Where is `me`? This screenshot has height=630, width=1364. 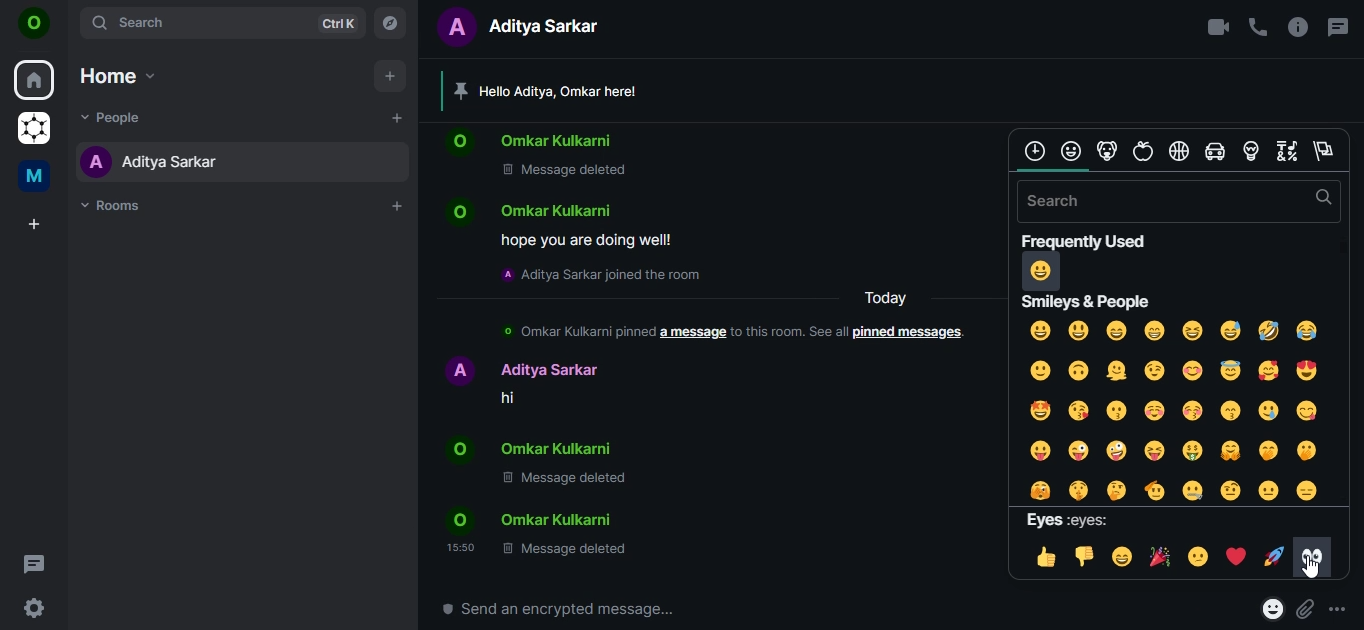
me is located at coordinates (32, 176).